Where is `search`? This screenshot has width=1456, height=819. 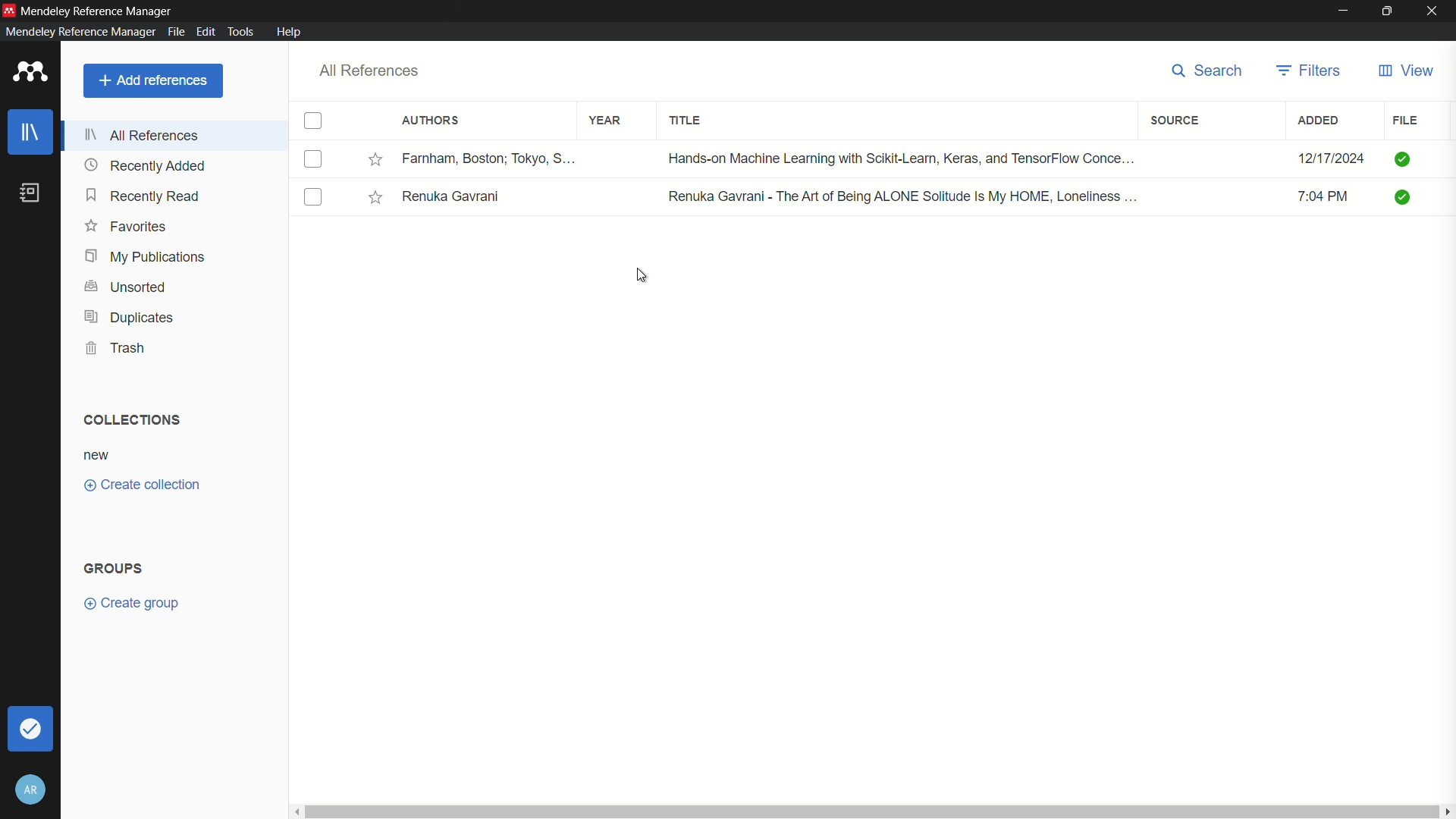
search is located at coordinates (1209, 72).